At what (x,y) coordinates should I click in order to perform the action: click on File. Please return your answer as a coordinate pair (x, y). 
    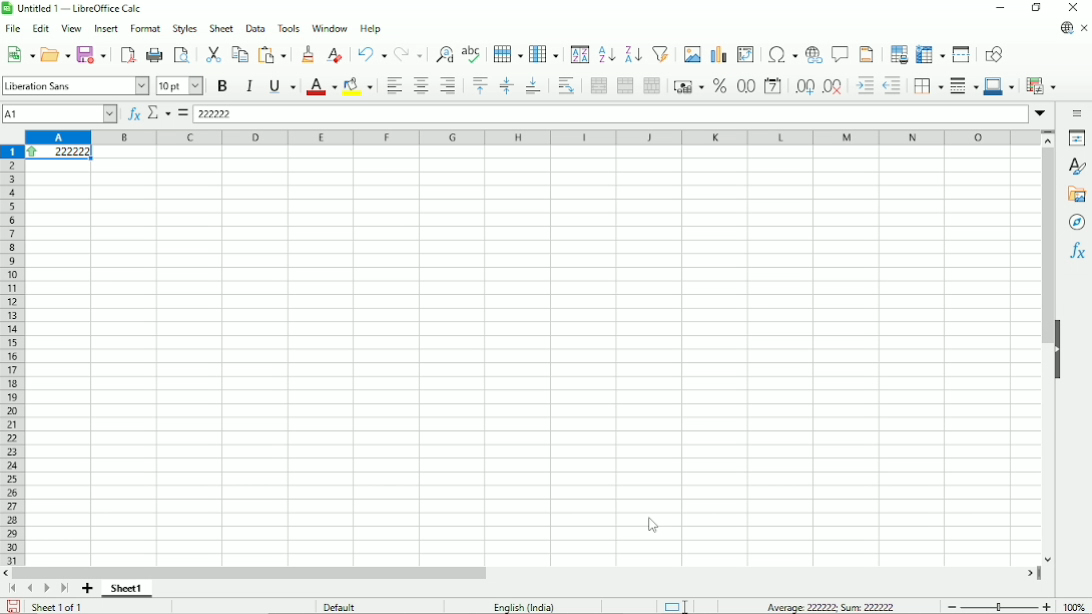
    Looking at the image, I should click on (13, 29).